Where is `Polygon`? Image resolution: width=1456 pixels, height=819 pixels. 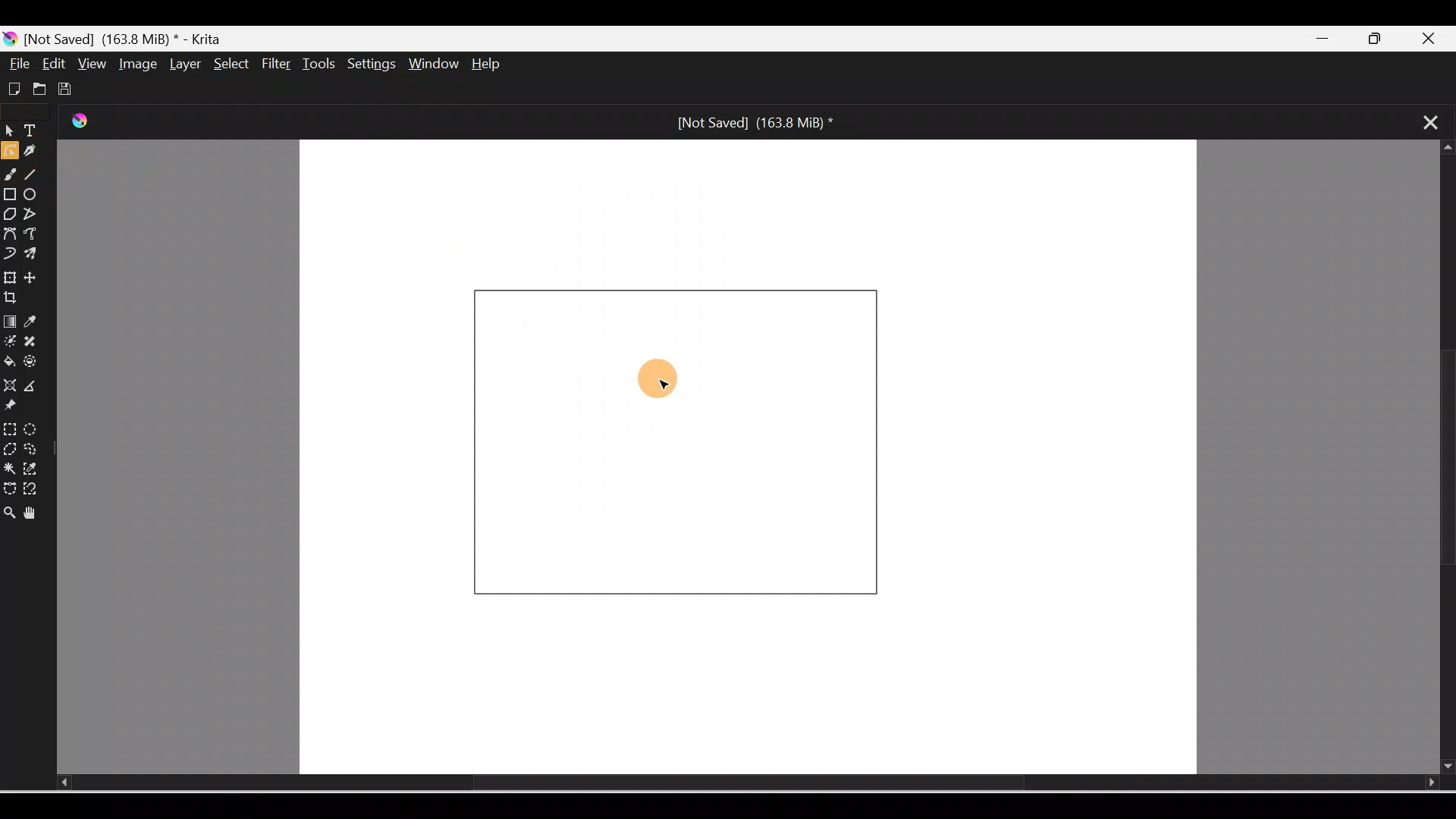 Polygon is located at coordinates (9, 214).